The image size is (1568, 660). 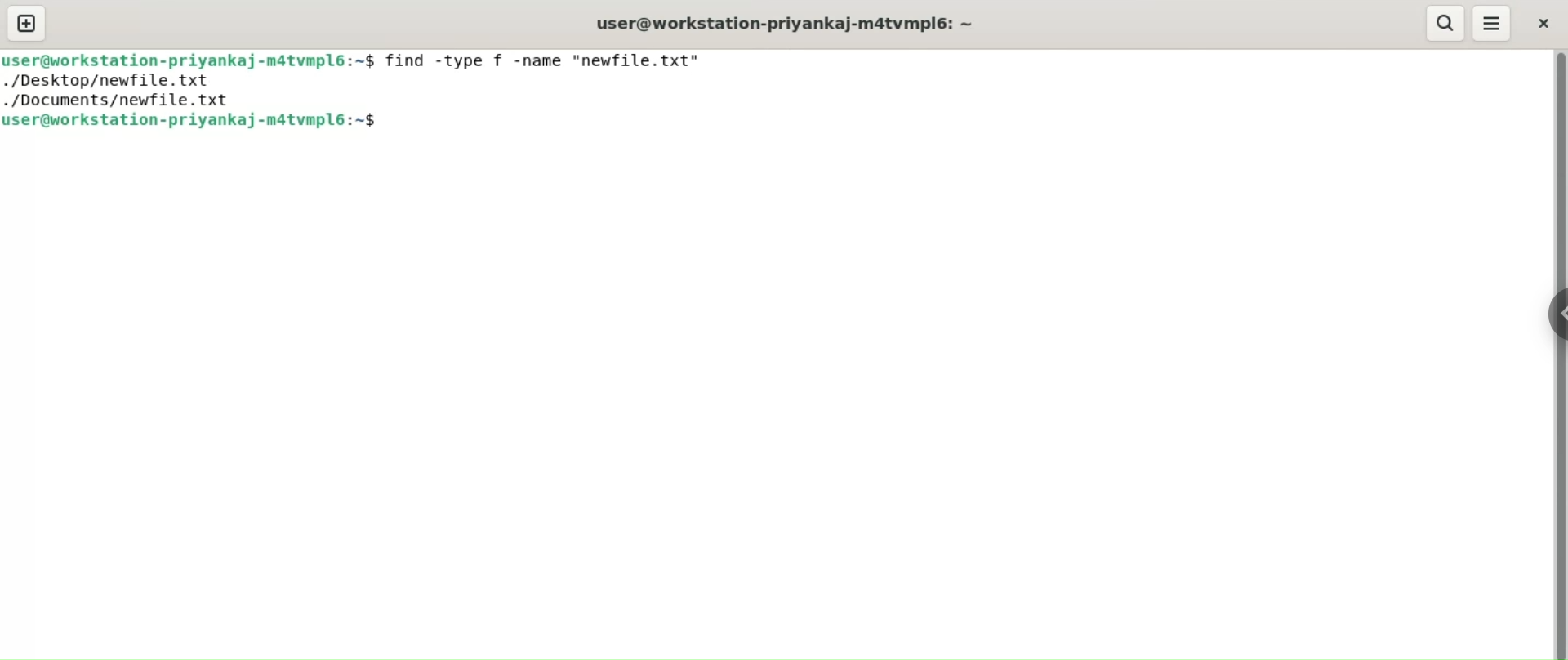 I want to click on  user@workstation-priyankaj-m4tvmpl6:~, so click(x=193, y=121).